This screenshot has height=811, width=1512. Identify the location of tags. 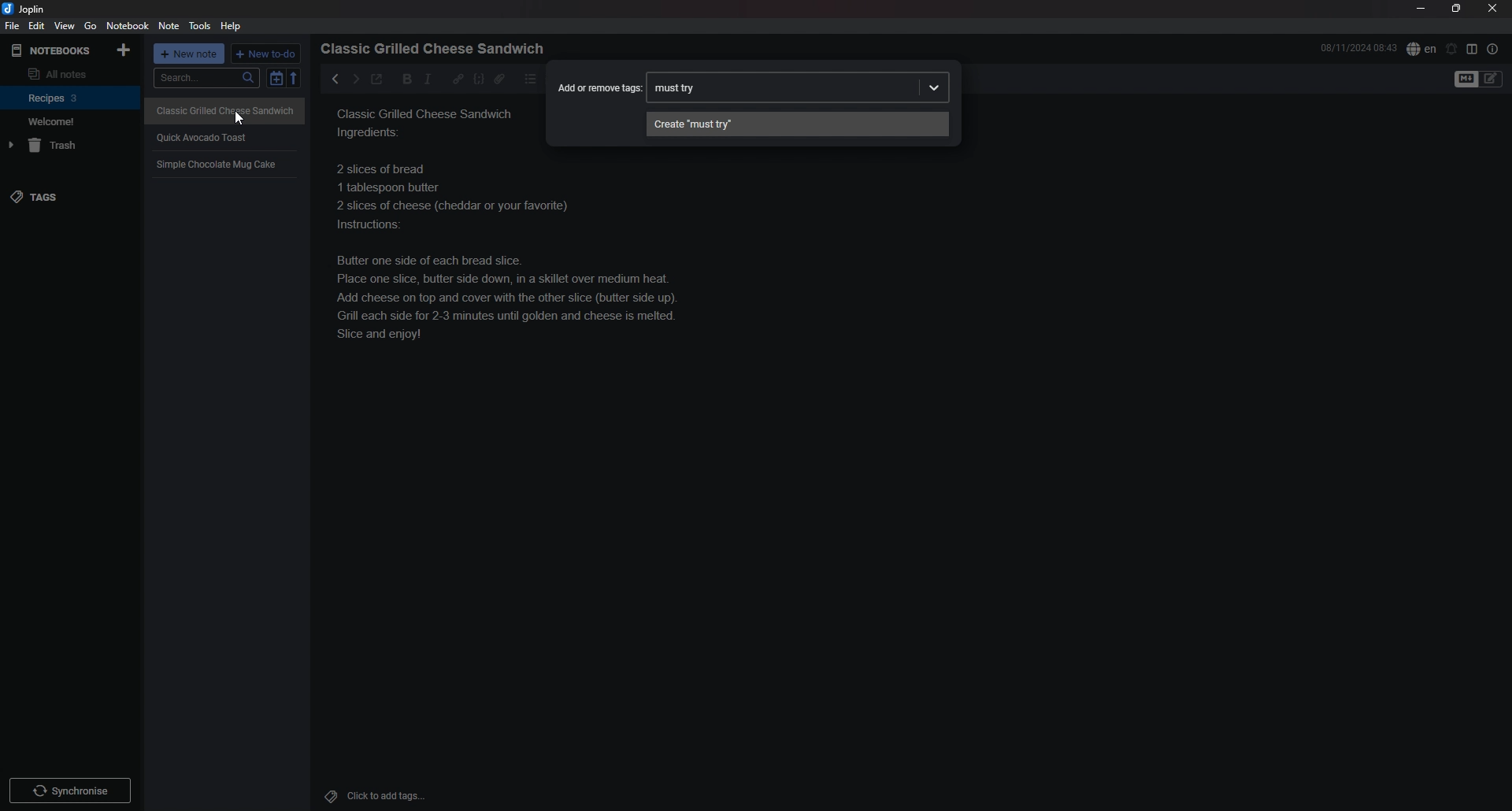
(69, 198).